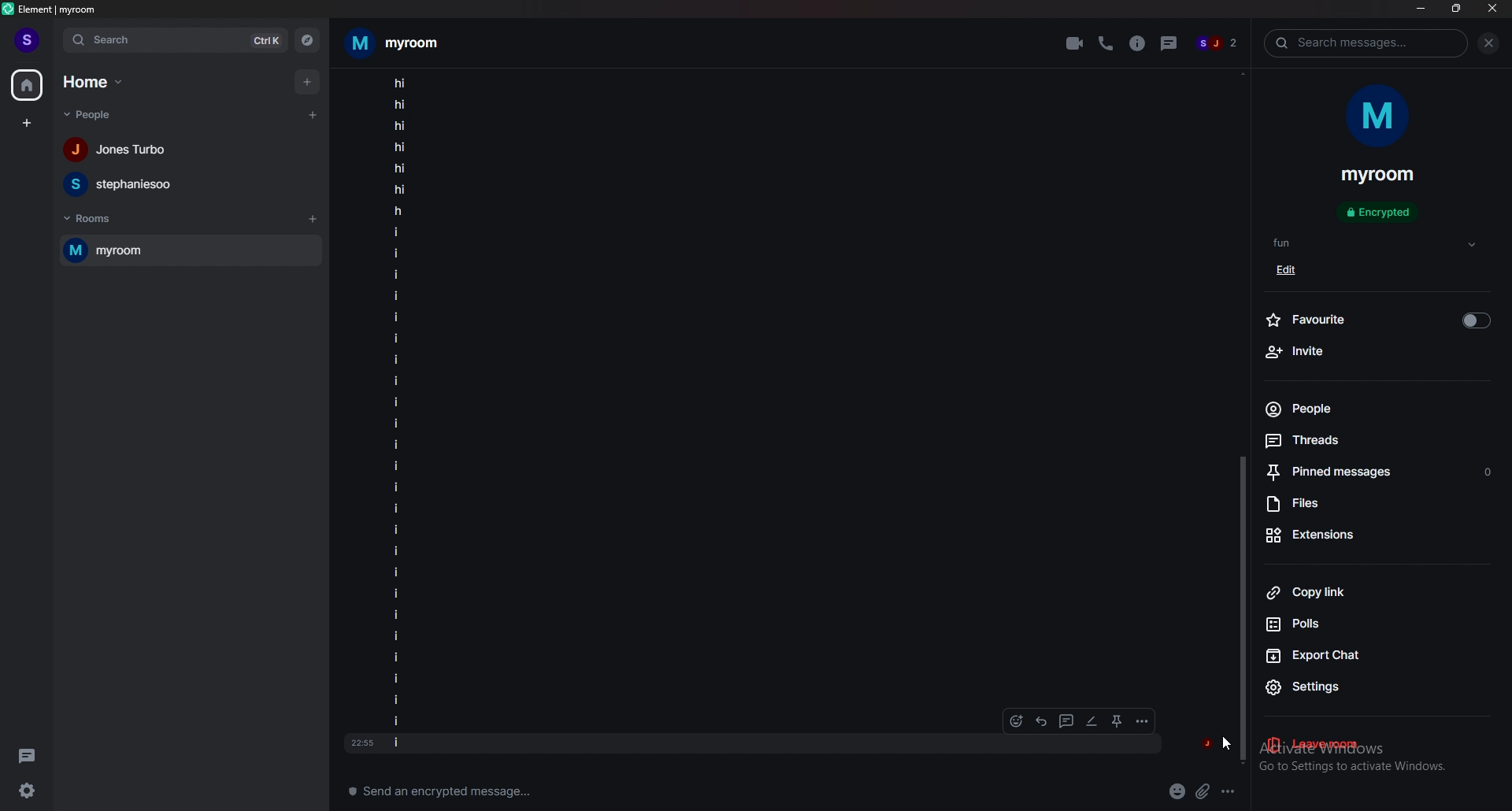  Describe the element at coordinates (27, 39) in the screenshot. I see `profile` at that location.